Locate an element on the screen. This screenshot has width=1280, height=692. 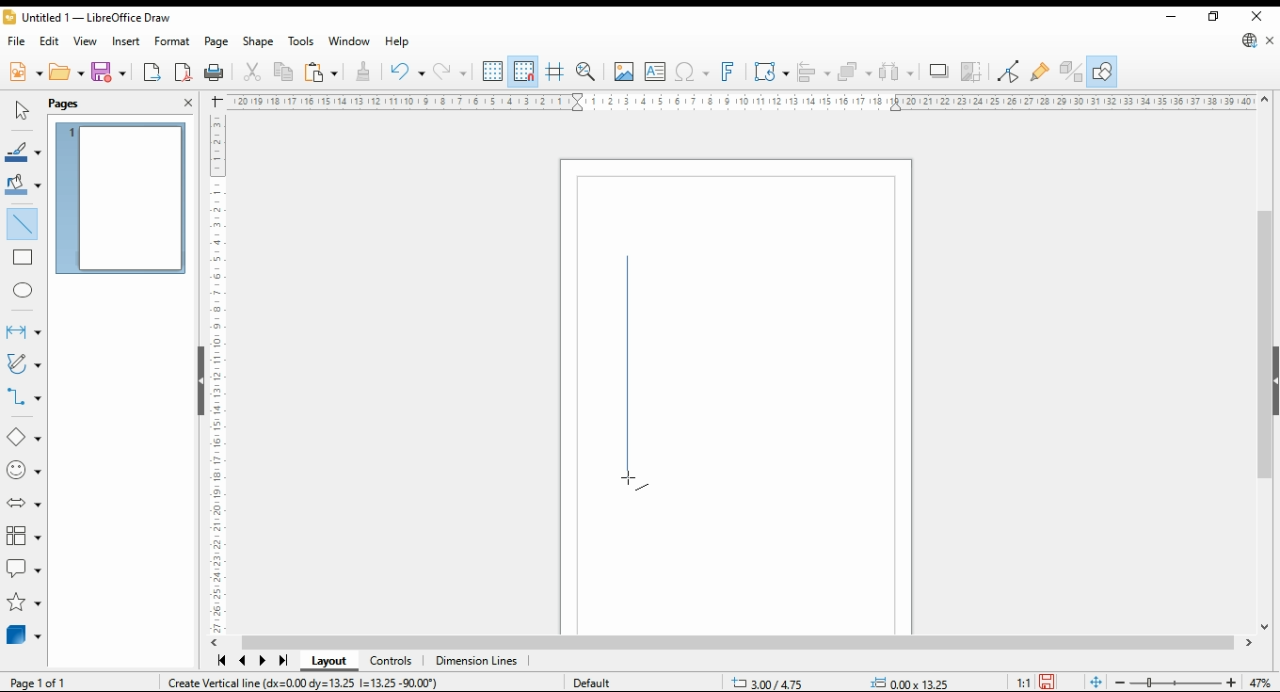
shadows is located at coordinates (938, 72).